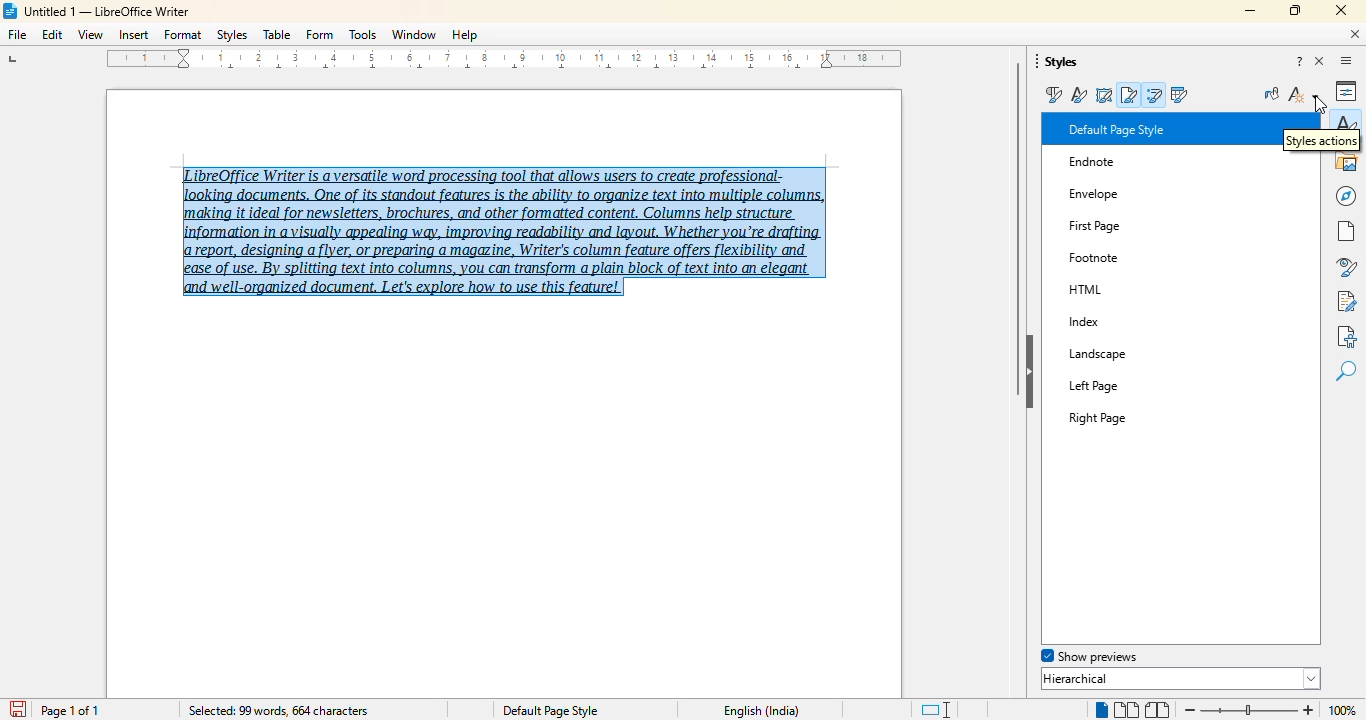 This screenshot has width=1366, height=720. What do you see at coordinates (1178, 94) in the screenshot?
I see `table styles` at bounding box center [1178, 94].